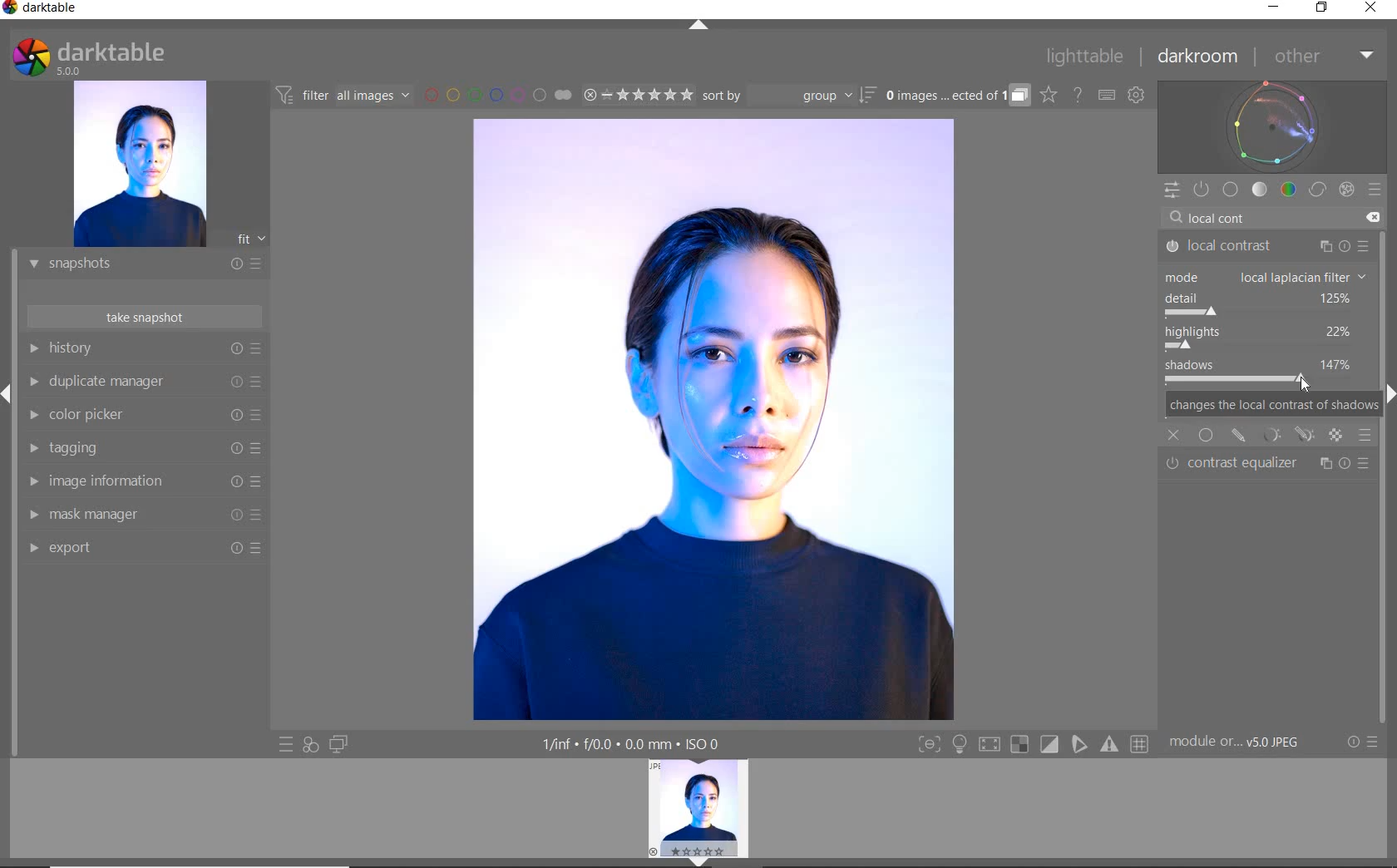 This screenshot has width=1397, height=868. Describe the element at coordinates (1365, 742) in the screenshot. I see `RESET OR PRESETS & PREFERENCES` at that location.